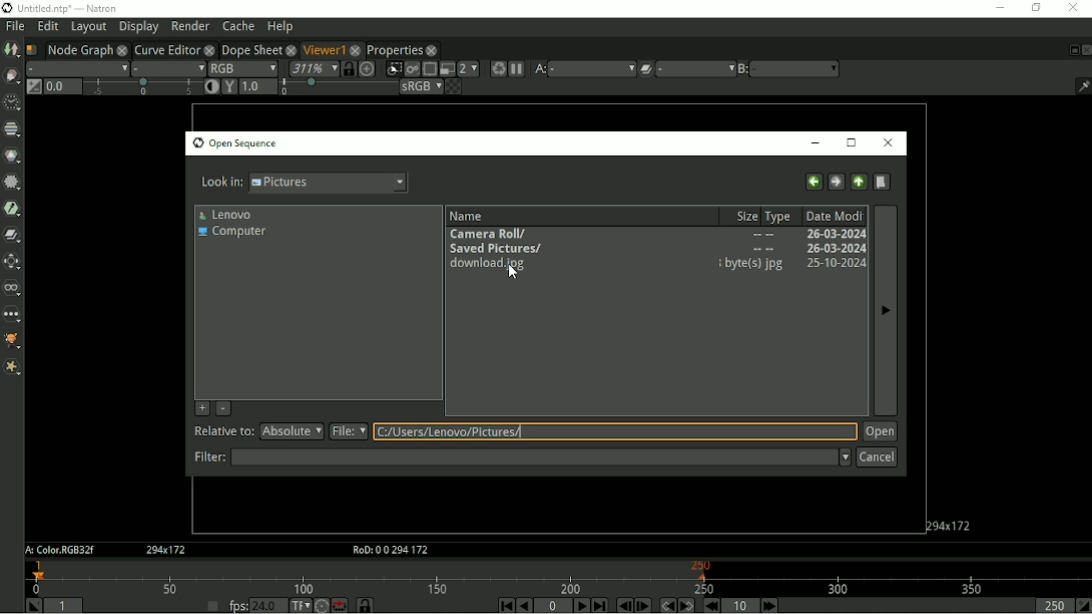  Describe the element at coordinates (878, 432) in the screenshot. I see `Open` at that location.